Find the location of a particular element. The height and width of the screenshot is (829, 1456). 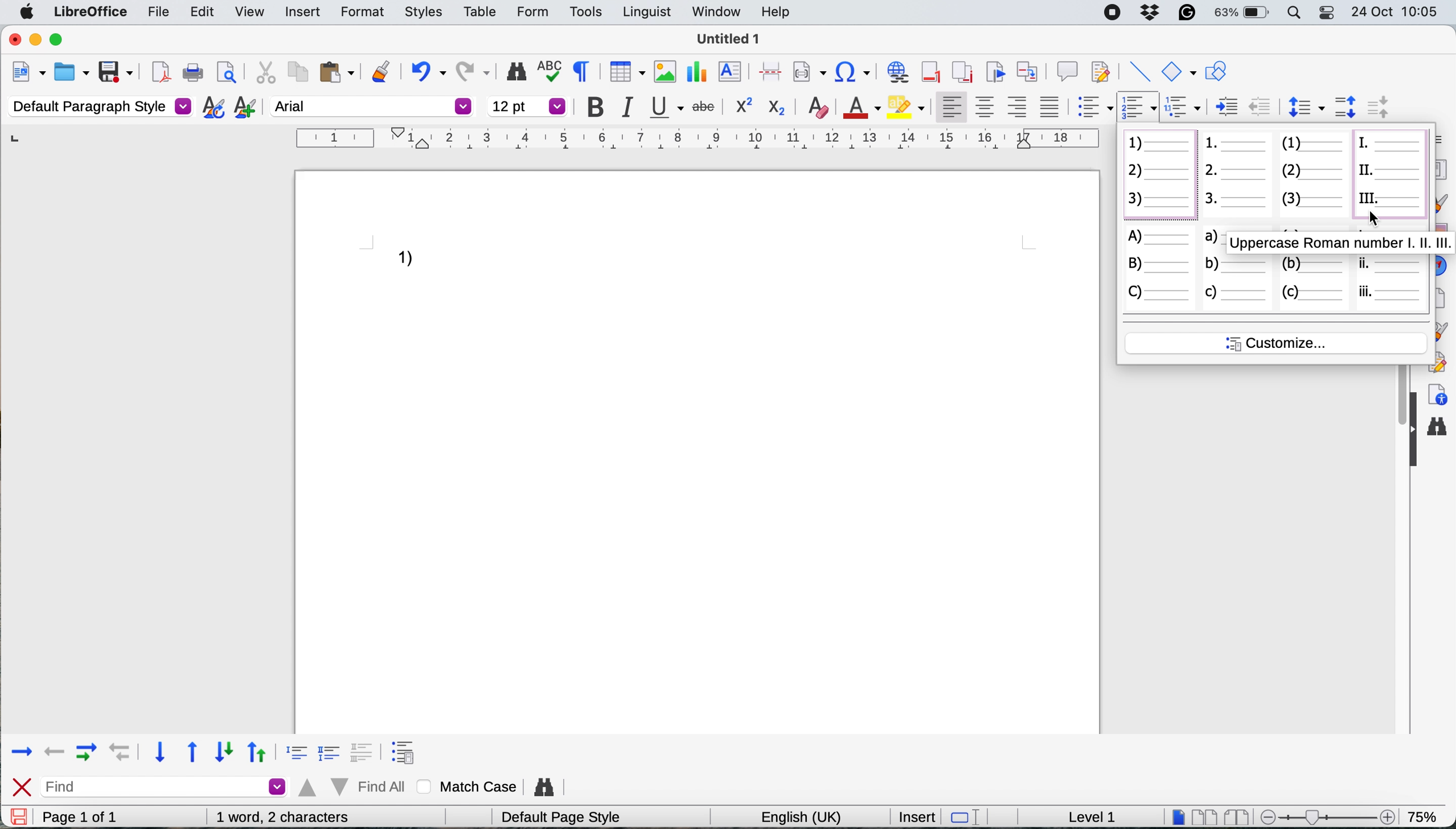

font is located at coordinates (372, 106).